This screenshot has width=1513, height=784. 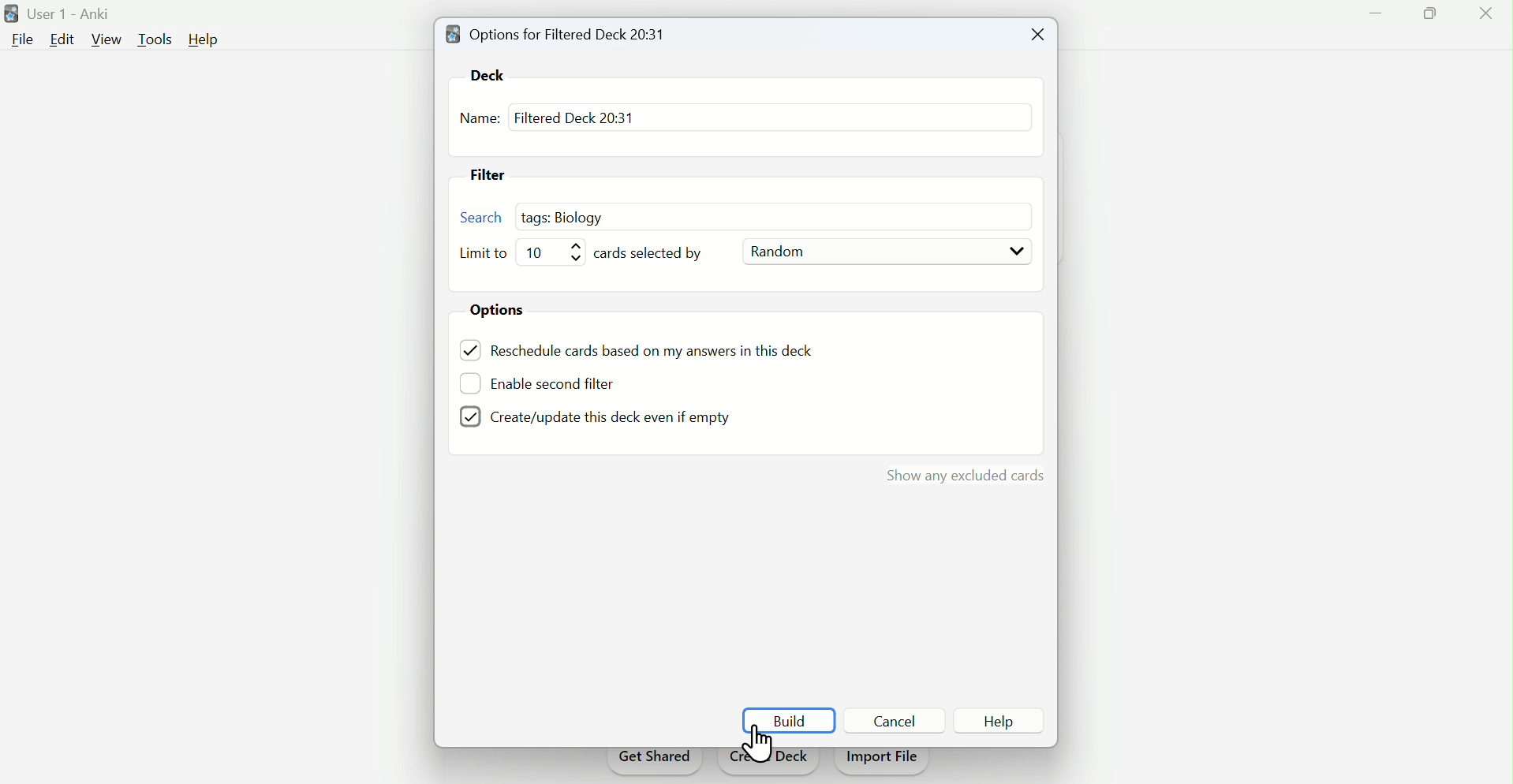 I want to click on Filter, so click(x=495, y=177).